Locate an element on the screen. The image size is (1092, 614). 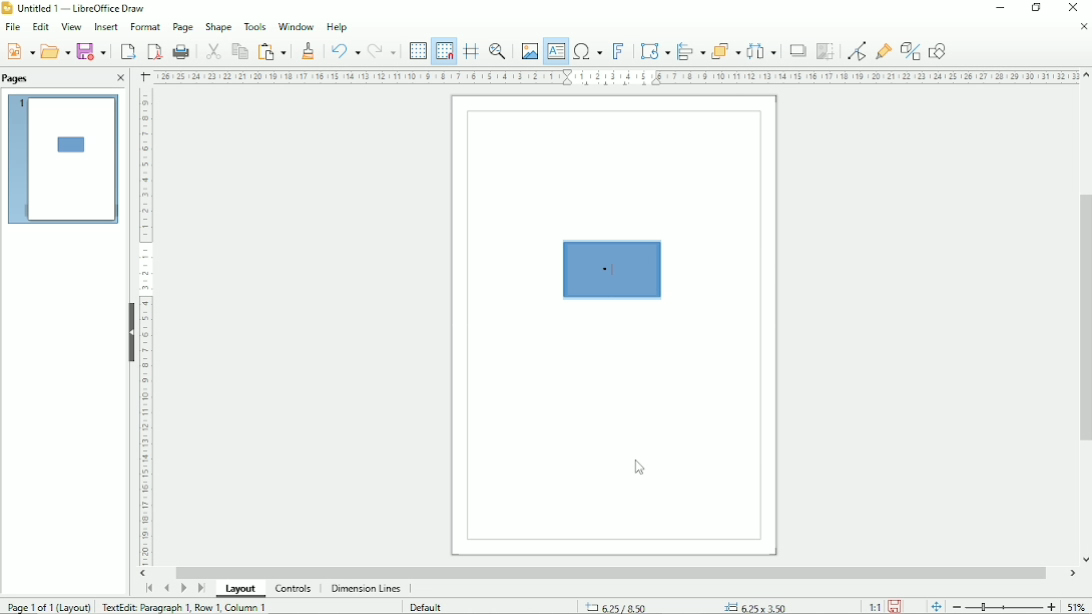
Horizontal scale is located at coordinates (145, 329).